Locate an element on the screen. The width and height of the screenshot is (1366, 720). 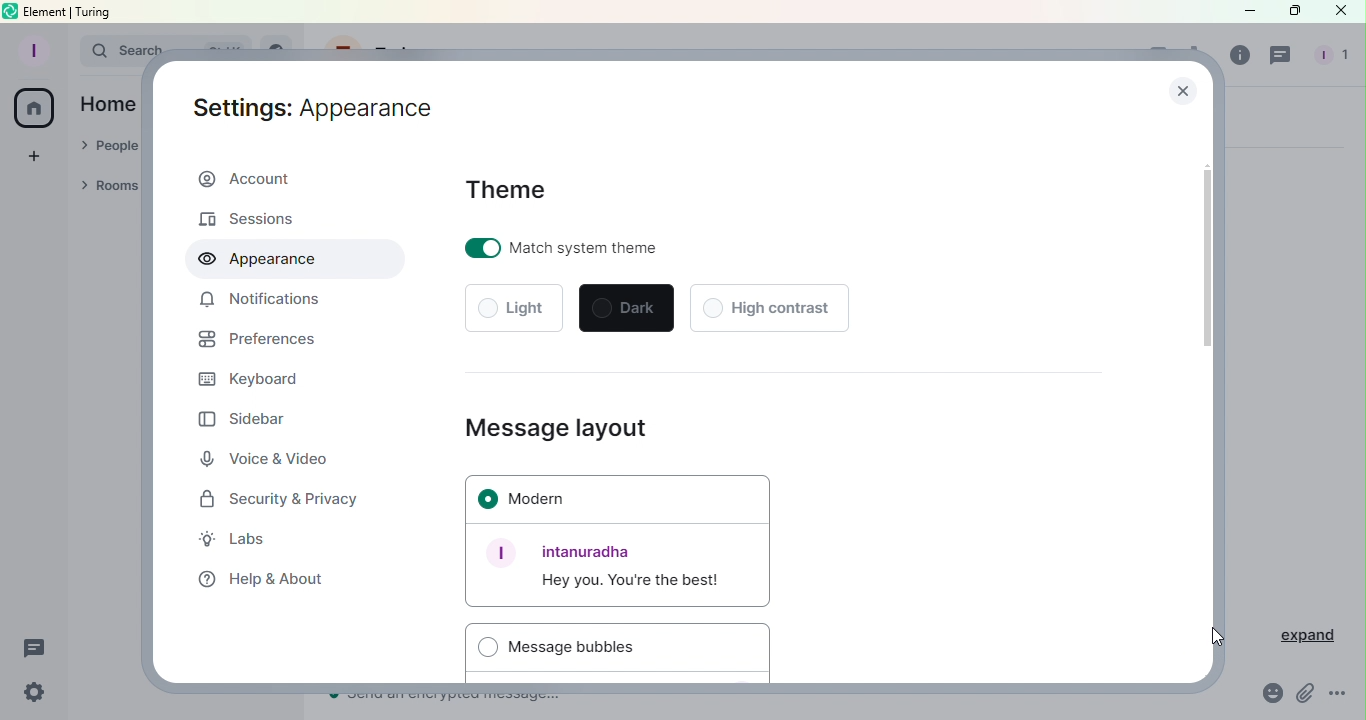
Keyboard is located at coordinates (248, 381).